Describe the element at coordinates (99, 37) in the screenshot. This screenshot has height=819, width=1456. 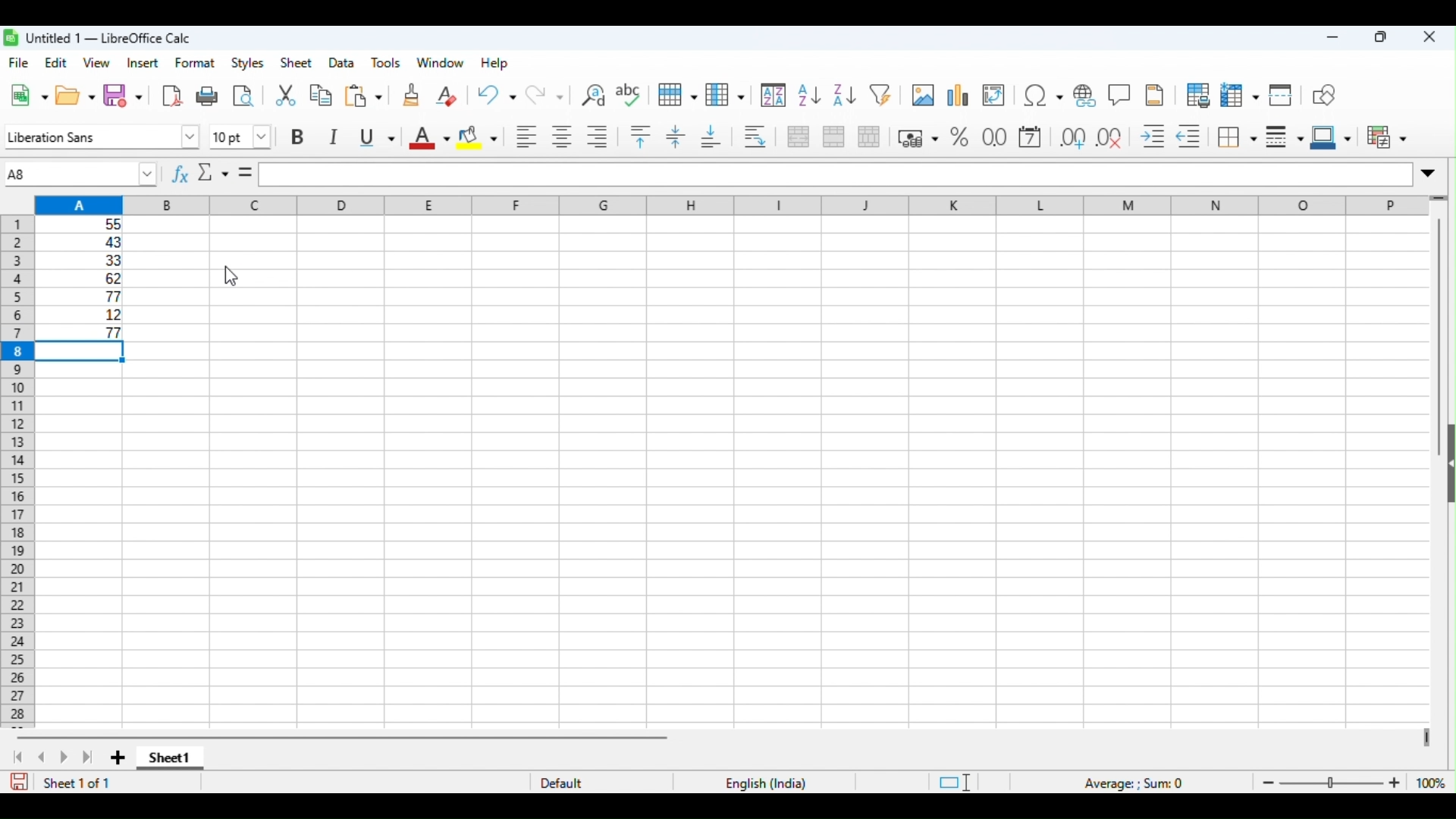
I see `title` at that location.